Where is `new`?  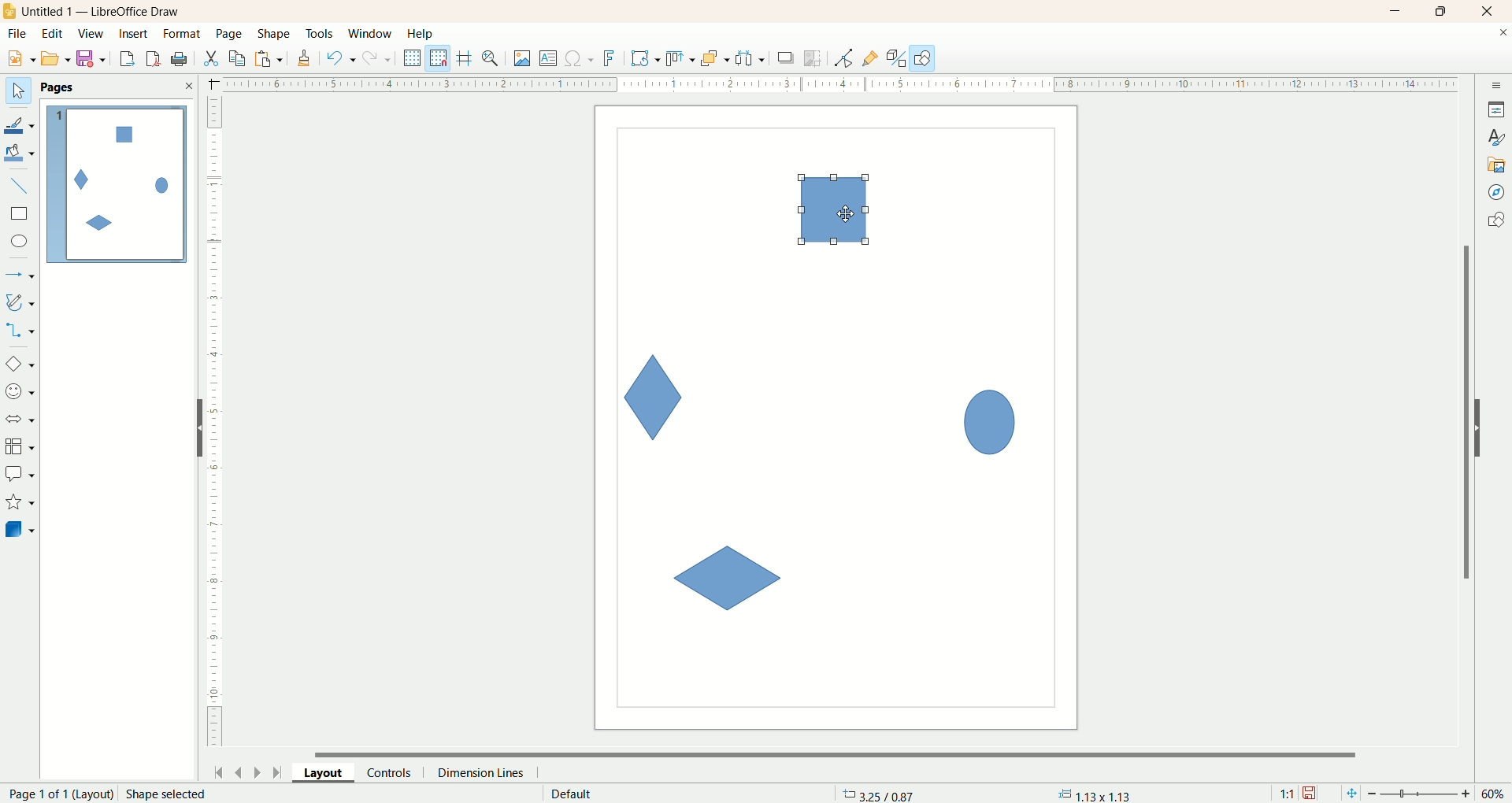 new is located at coordinates (18, 59).